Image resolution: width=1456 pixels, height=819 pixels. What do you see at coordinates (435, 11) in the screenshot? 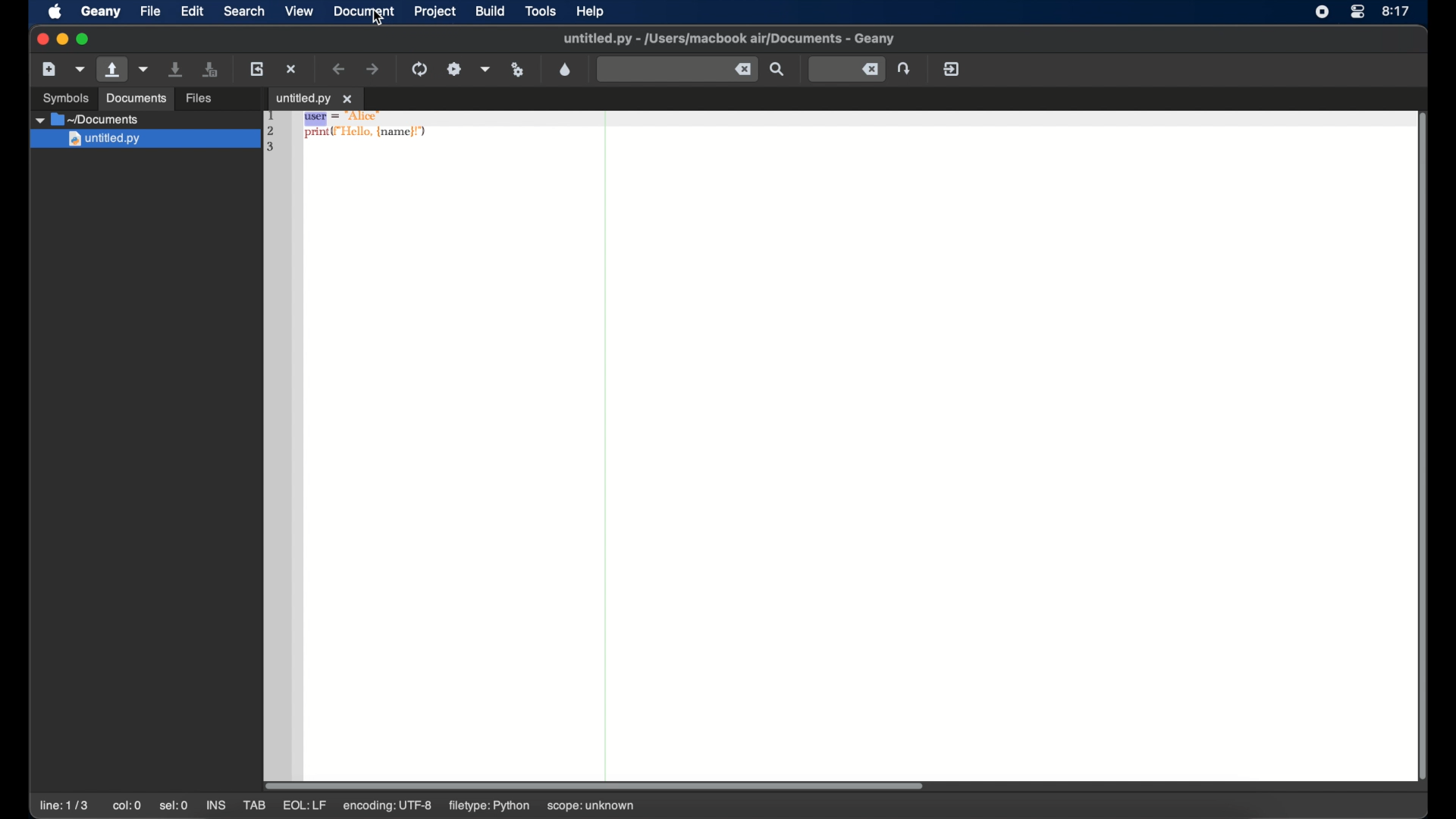
I see `project` at bounding box center [435, 11].